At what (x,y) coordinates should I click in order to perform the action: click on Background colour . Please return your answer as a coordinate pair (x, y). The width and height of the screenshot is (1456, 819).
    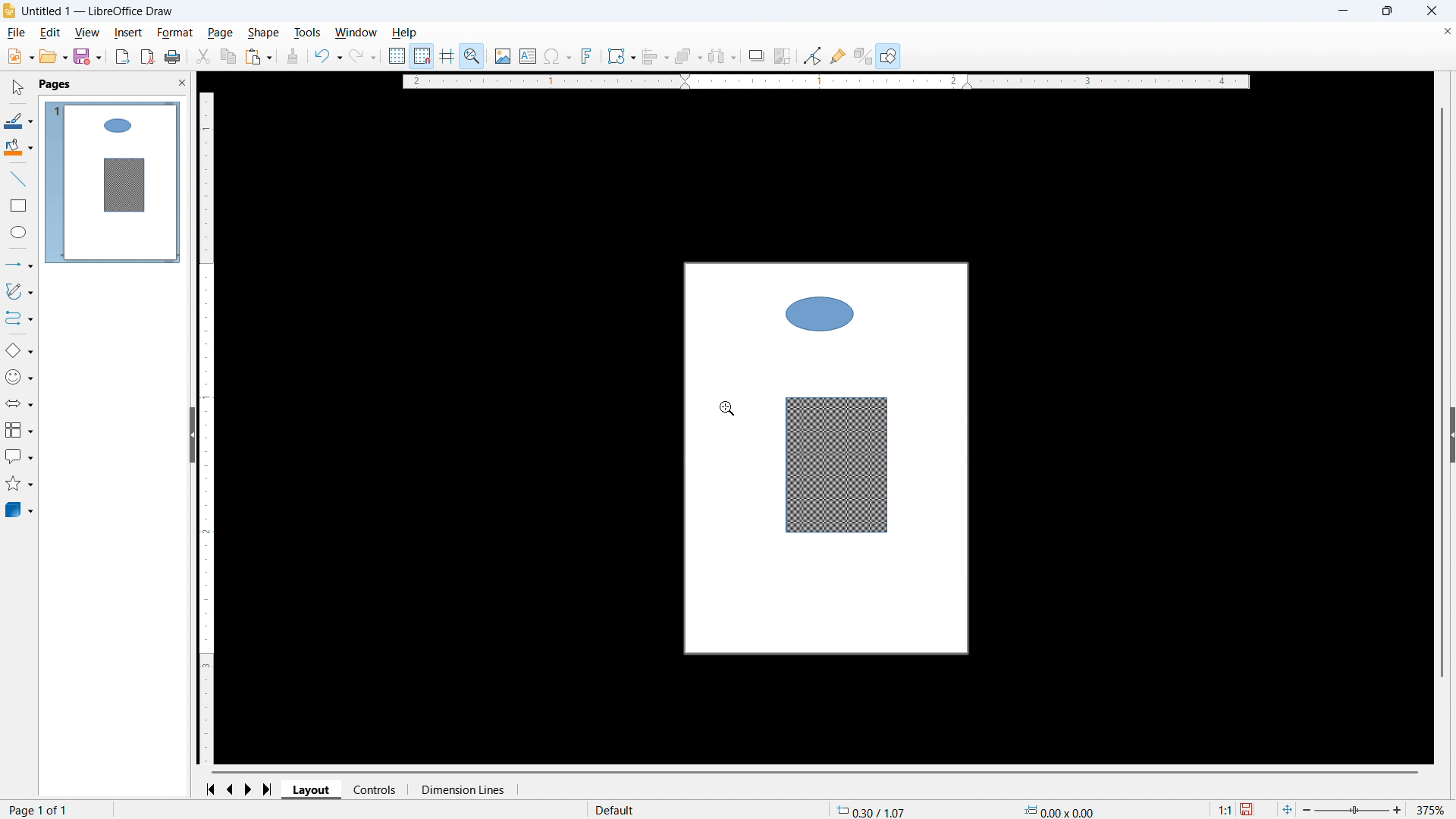
    Looking at the image, I should click on (18, 147).